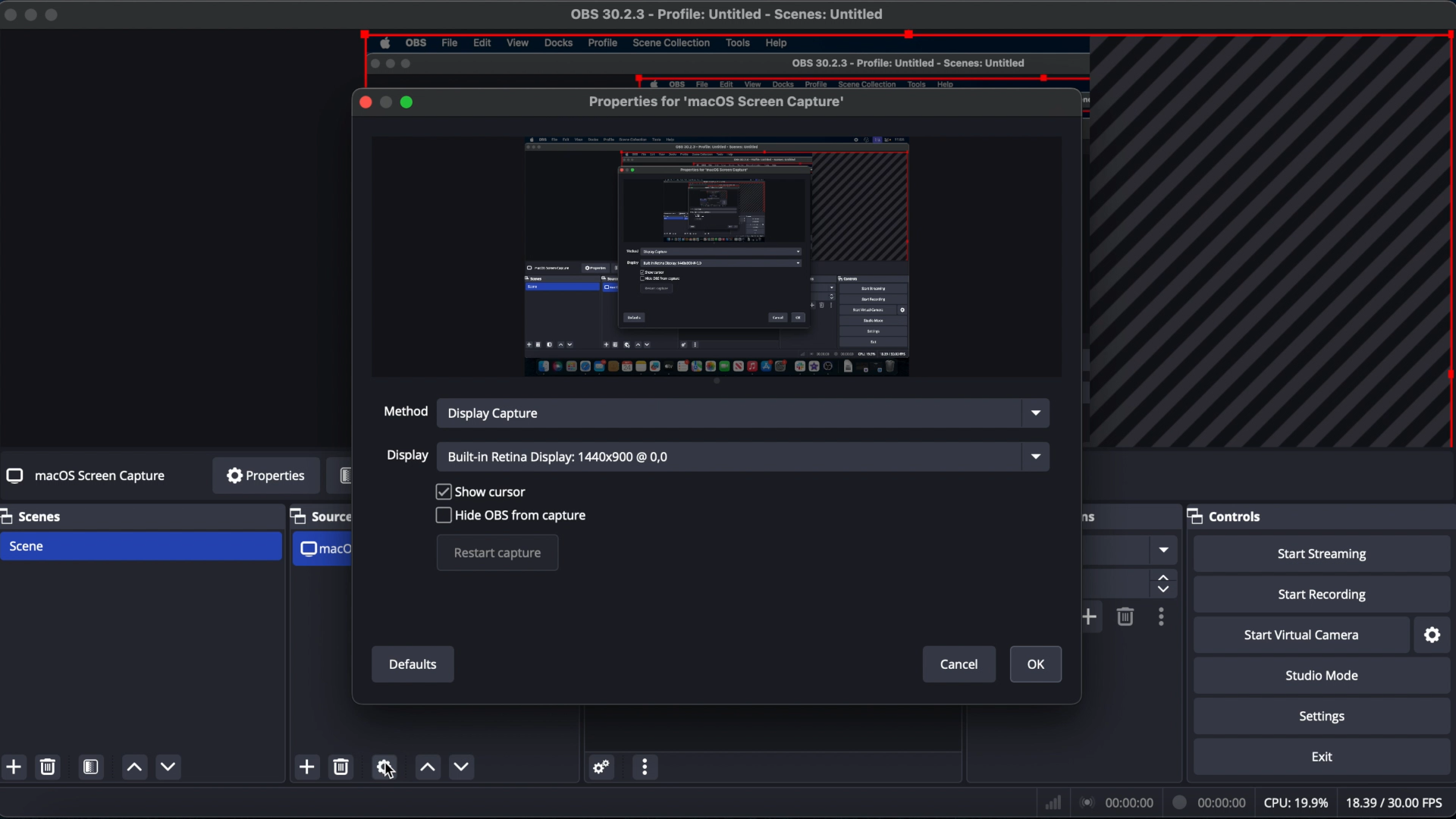 Image resolution: width=1456 pixels, height=819 pixels. I want to click on remove source, so click(341, 767).